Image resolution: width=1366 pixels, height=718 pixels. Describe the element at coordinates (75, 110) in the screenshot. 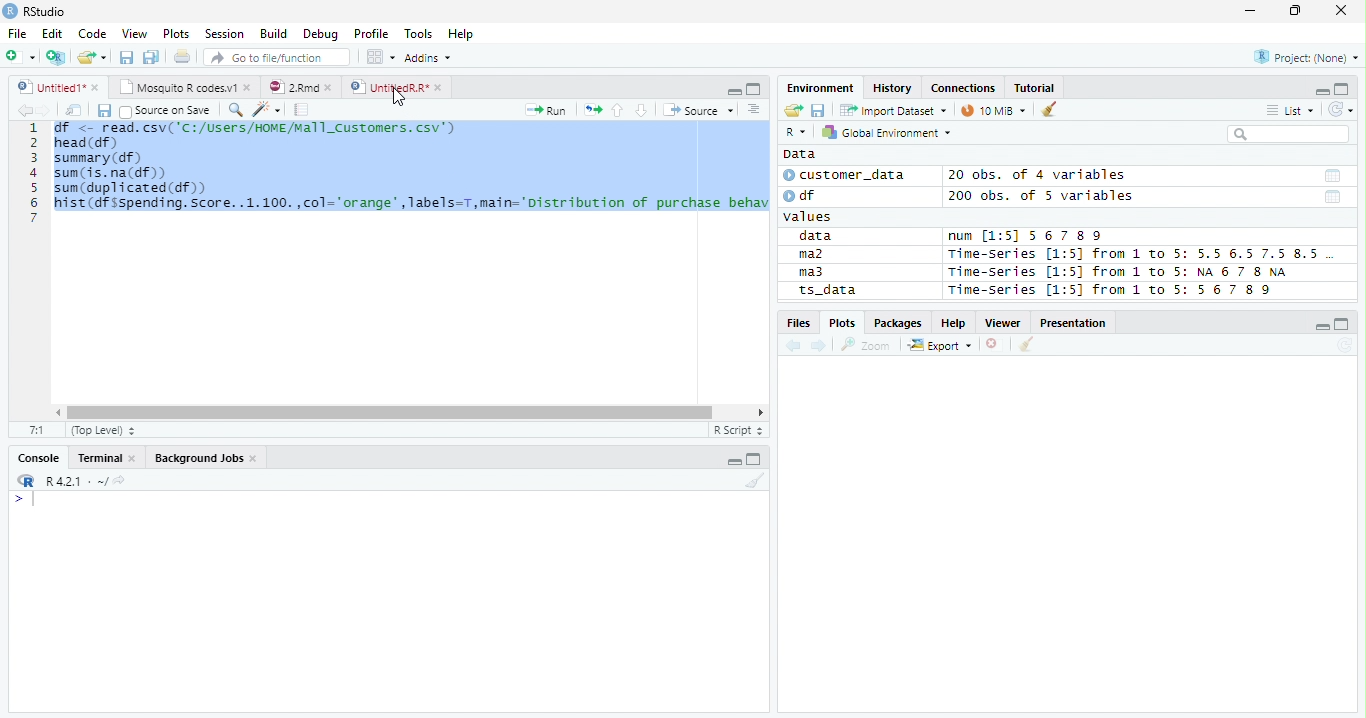

I see `Show in new window` at that location.